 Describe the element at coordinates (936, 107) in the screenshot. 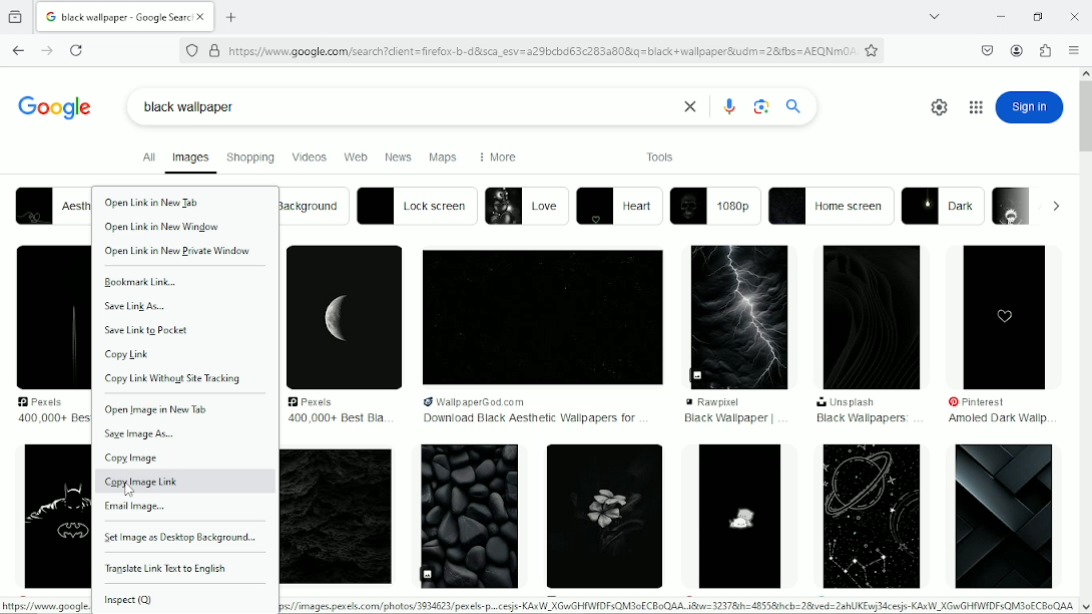

I see `quick settings` at that location.